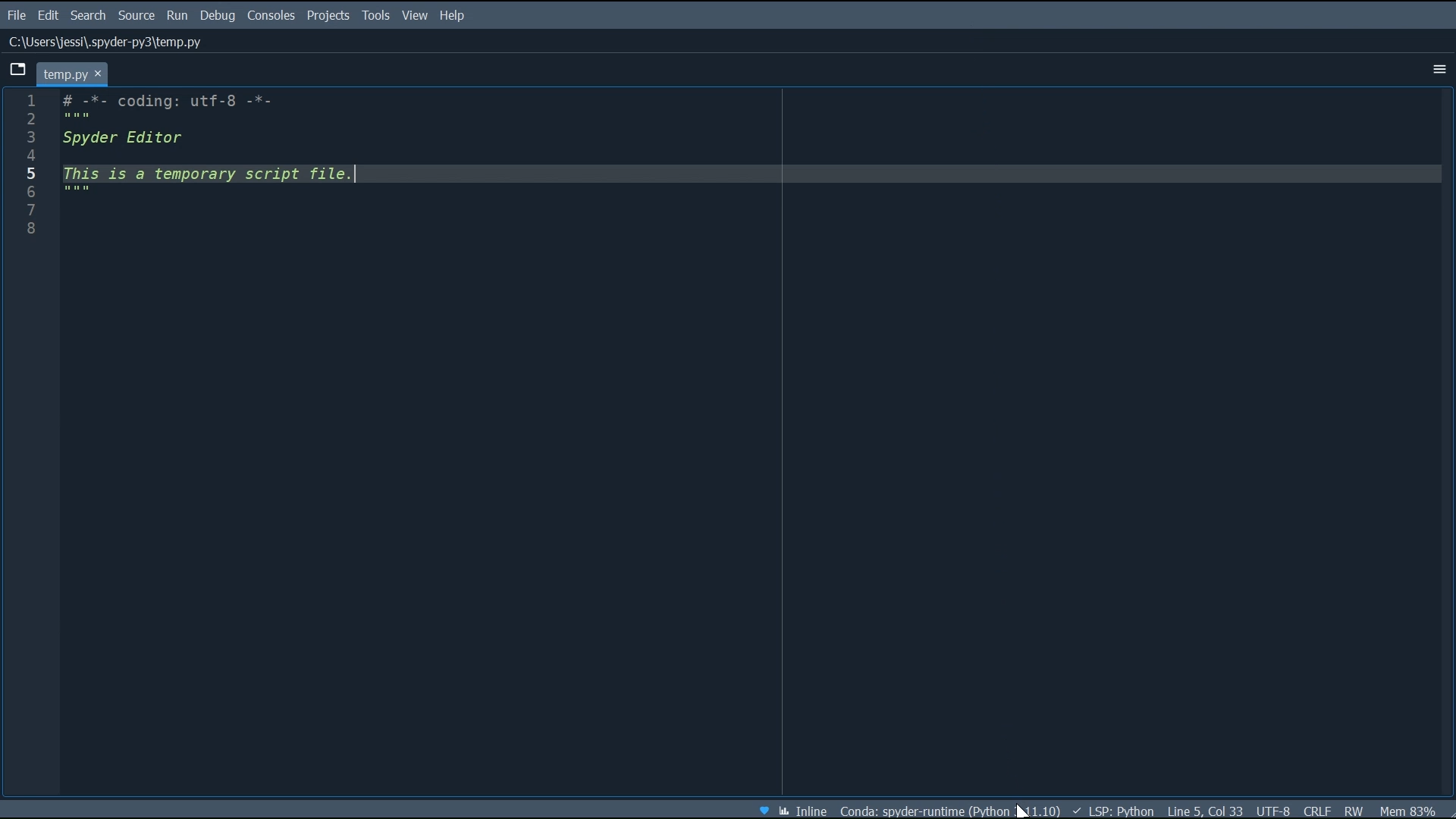 This screenshot has width=1456, height=819. What do you see at coordinates (178, 16) in the screenshot?
I see `Run` at bounding box center [178, 16].